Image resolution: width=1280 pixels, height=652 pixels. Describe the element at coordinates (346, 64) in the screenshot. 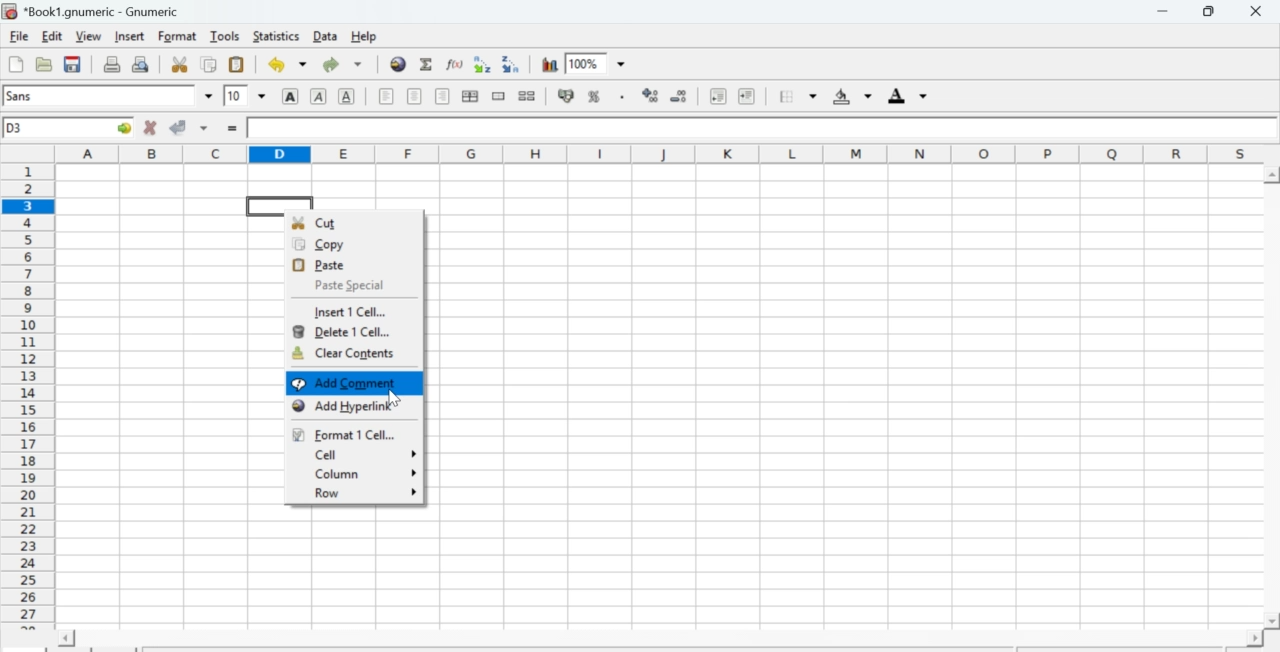

I see `Redo` at that location.